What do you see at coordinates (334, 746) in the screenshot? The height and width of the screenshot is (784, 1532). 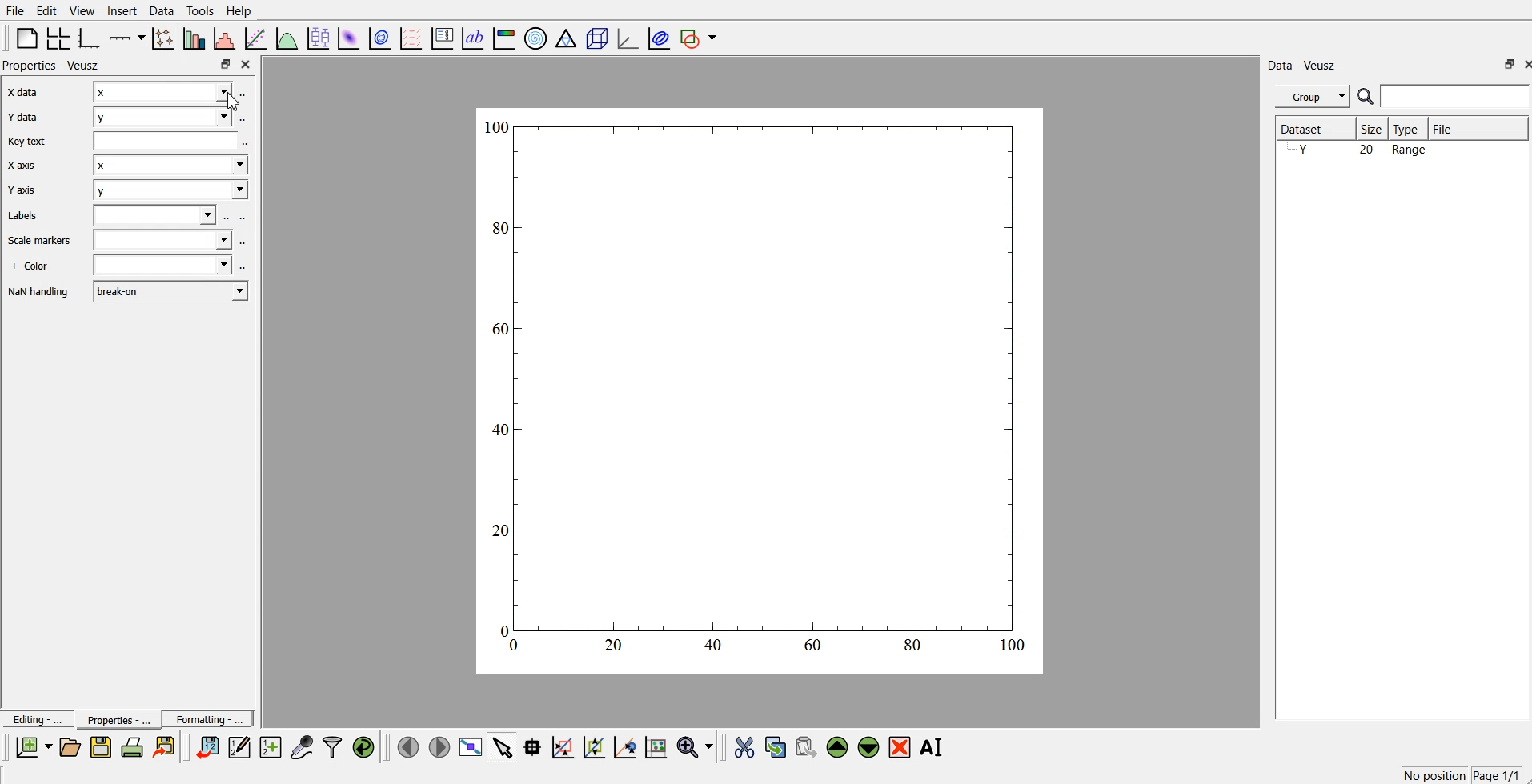 I see `Filter data` at bounding box center [334, 746].